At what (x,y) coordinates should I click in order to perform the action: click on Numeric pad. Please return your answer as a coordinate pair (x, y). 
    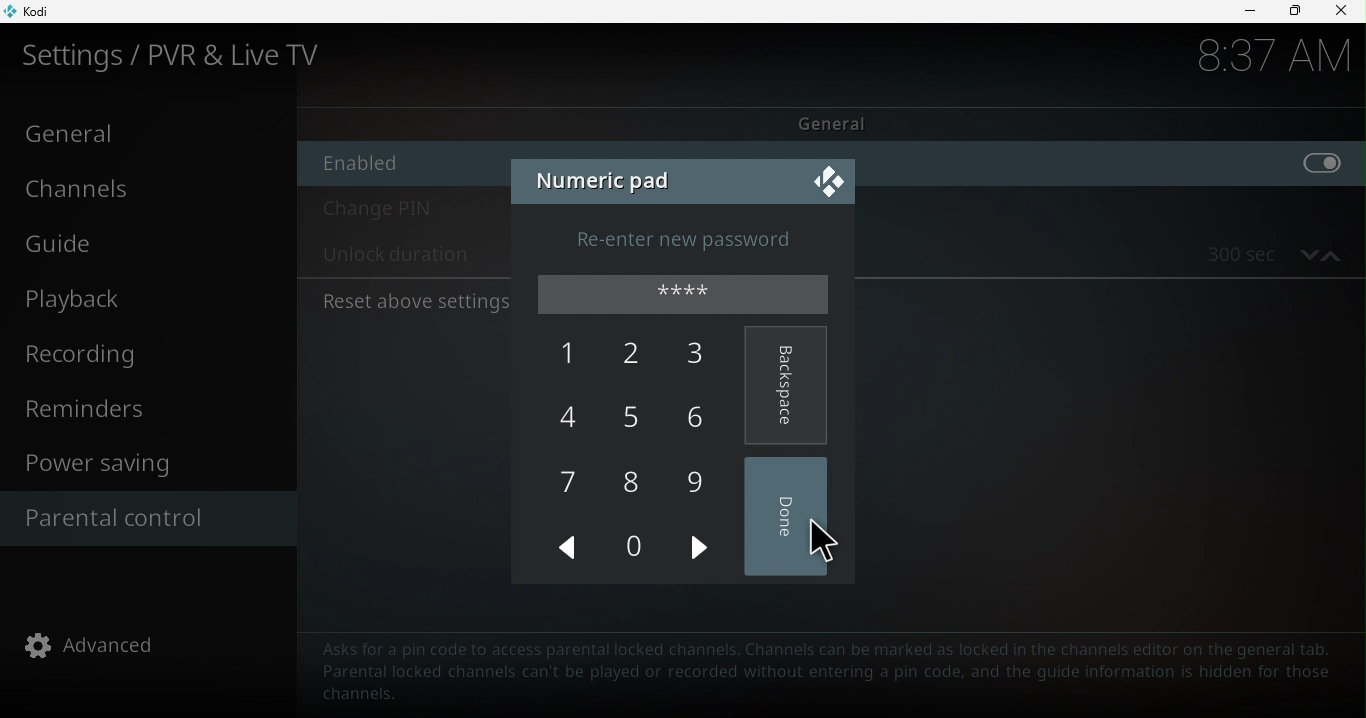
    Looking at the image, I should click on (605, 177).